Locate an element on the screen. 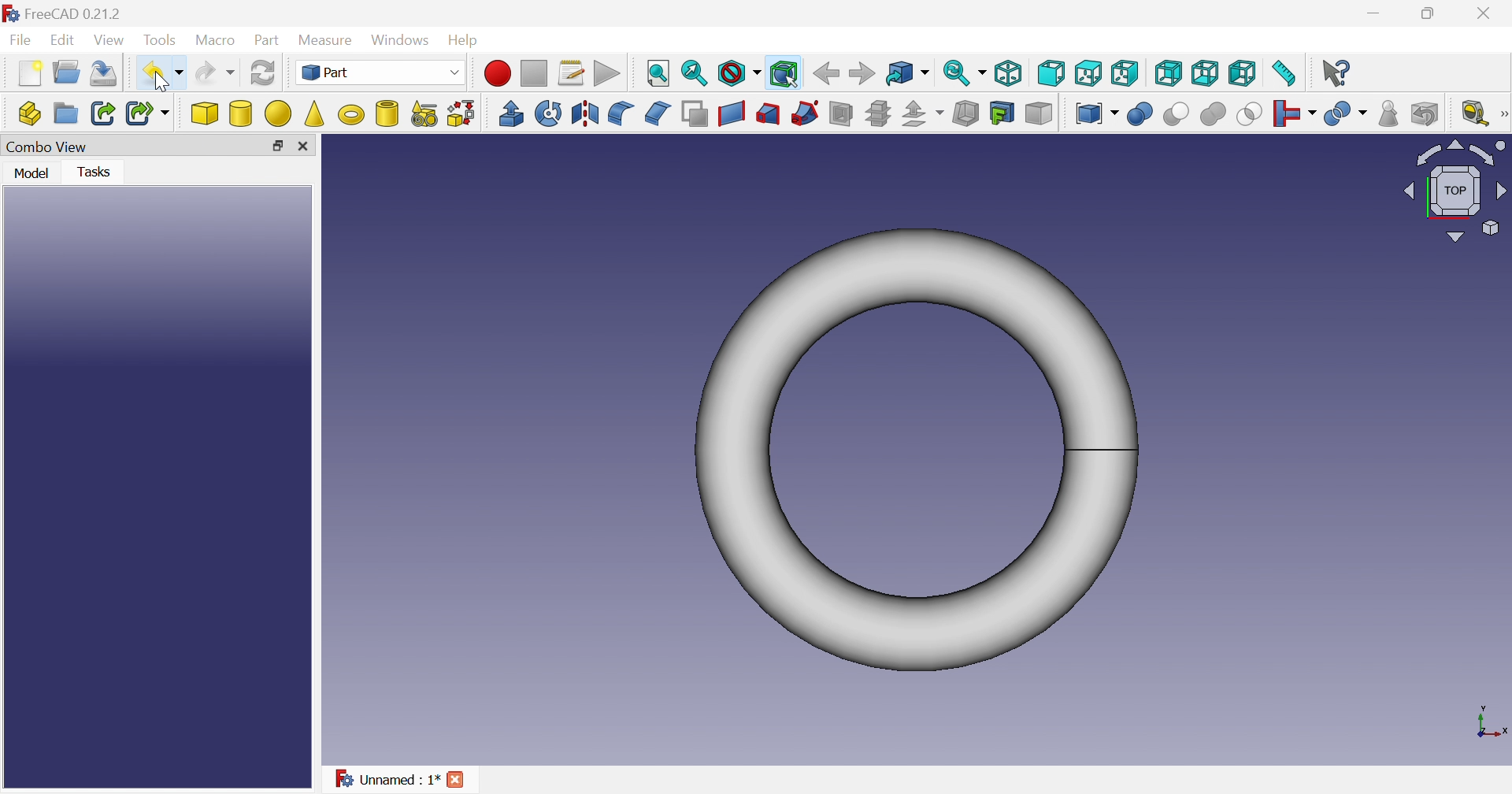 Image resolution: width=1512 pixels, height=794 pixels. Rear is located at coordinates (1169, 74).